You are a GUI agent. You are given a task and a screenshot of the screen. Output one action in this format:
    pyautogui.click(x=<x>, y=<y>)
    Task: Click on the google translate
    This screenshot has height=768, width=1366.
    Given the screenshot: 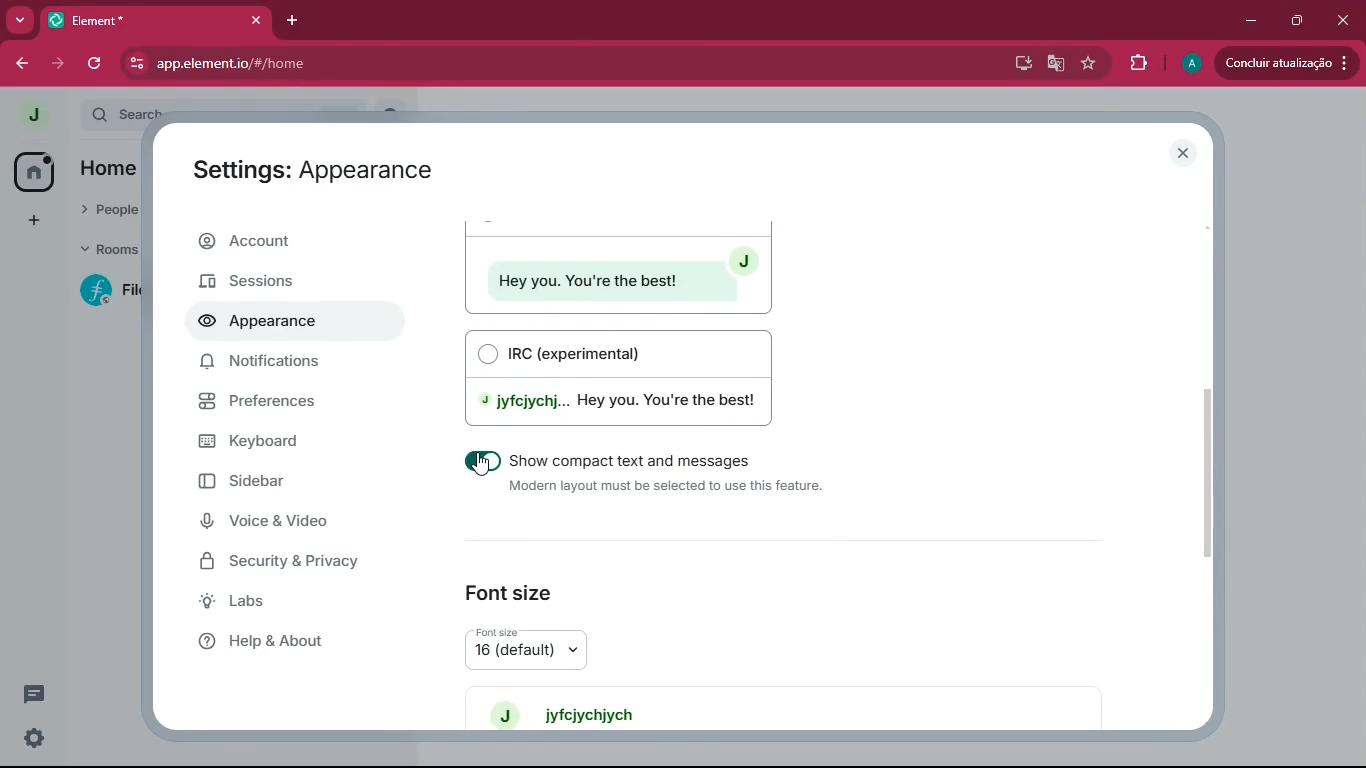 What is the action you would take?
    pyautogui.click(x=1054, y=62)
    